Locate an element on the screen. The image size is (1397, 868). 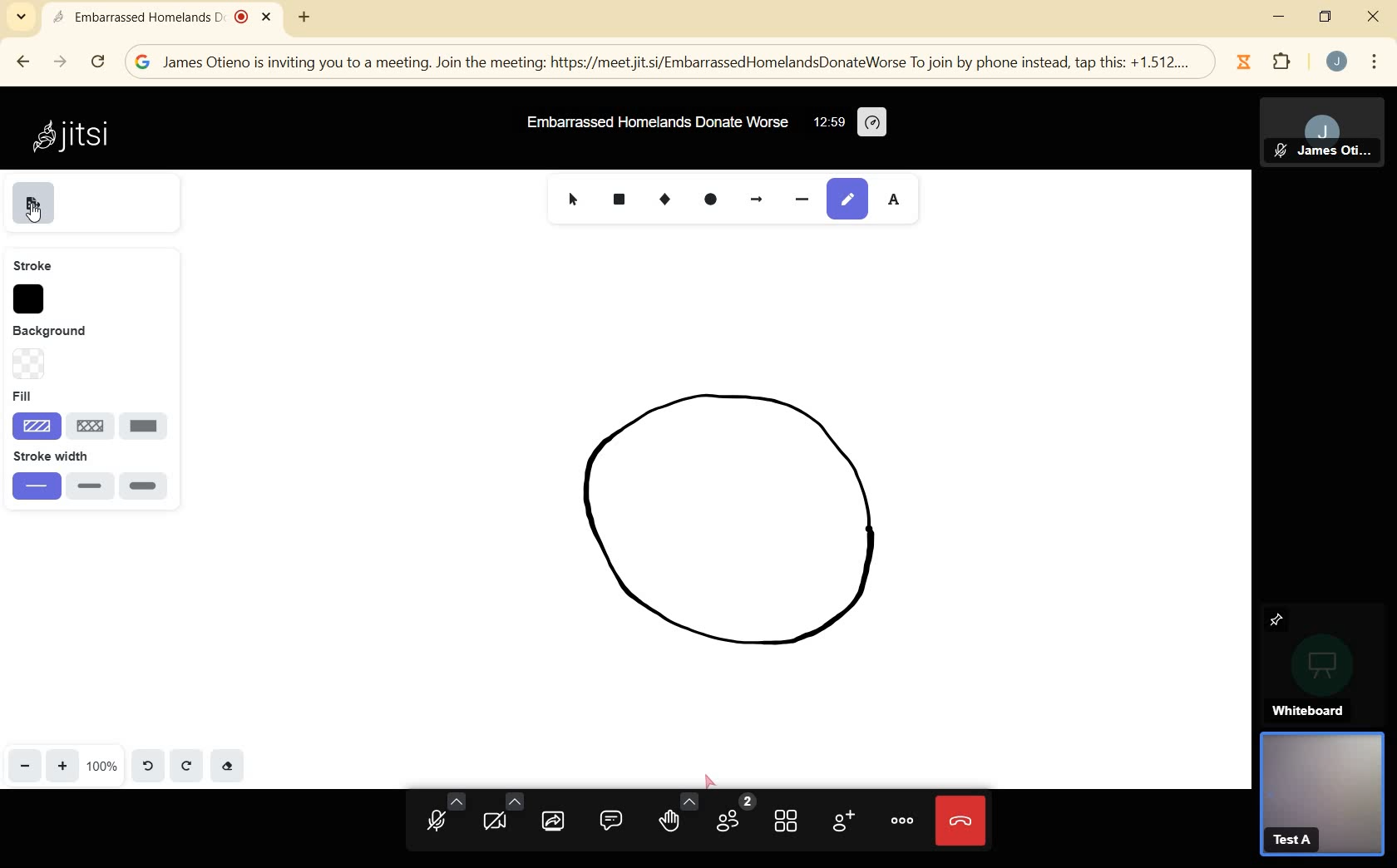
stroke width is located at coordinates (89, 458).